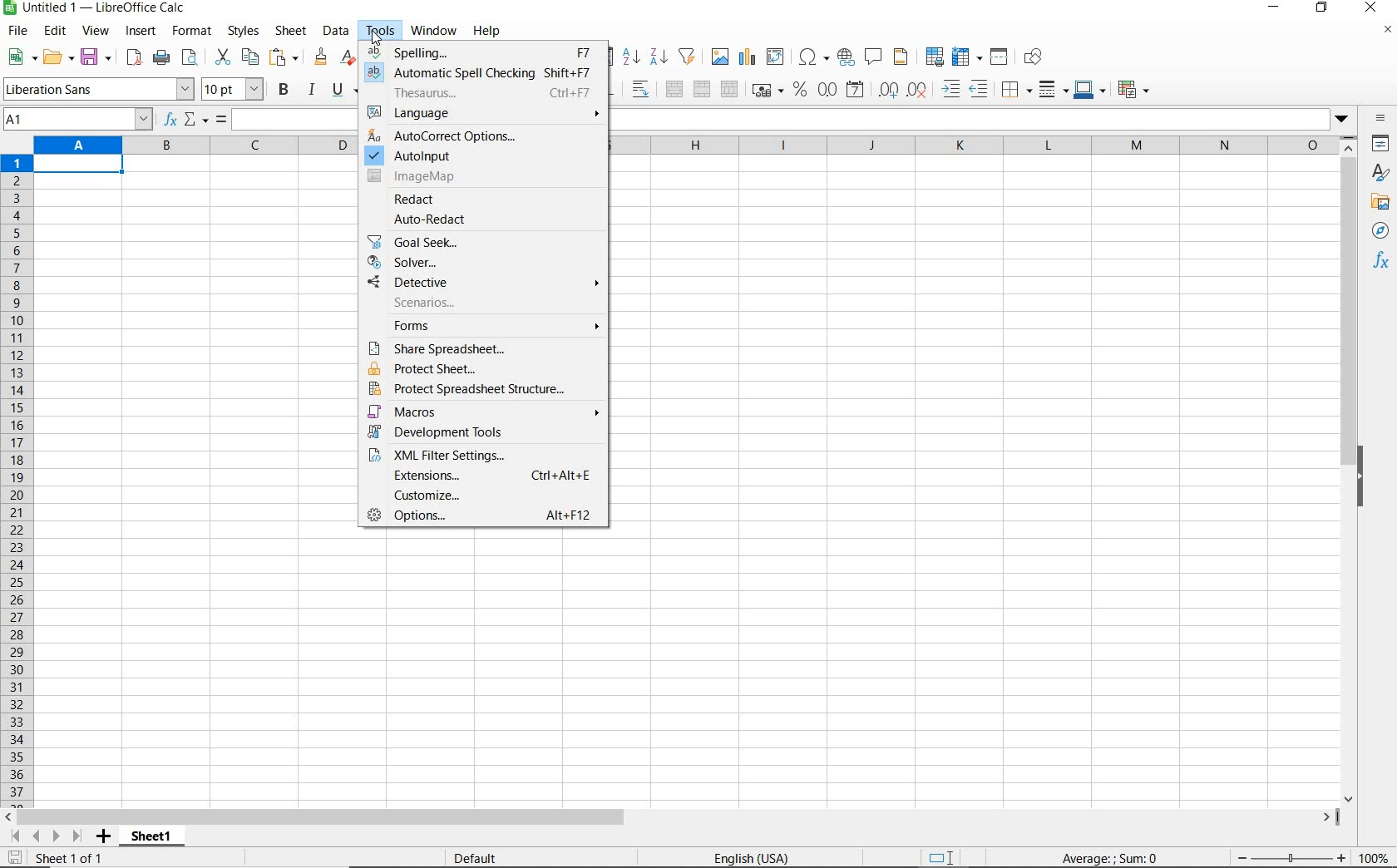 The image size is (1397, 868). I want to click on window, so click(432, 32).